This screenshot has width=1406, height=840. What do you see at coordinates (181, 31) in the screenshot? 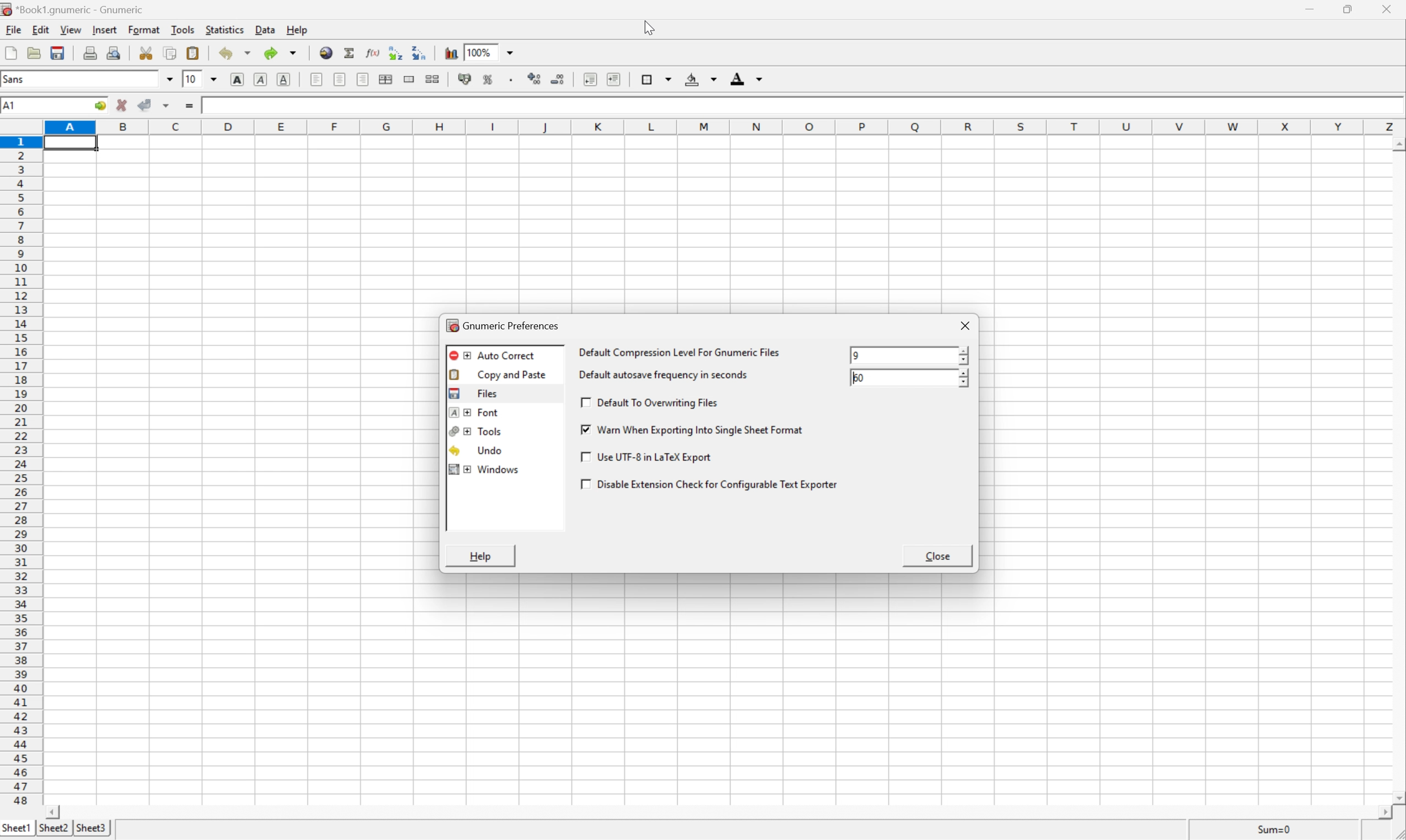
I see `tools` at bounding box center [181, 31].